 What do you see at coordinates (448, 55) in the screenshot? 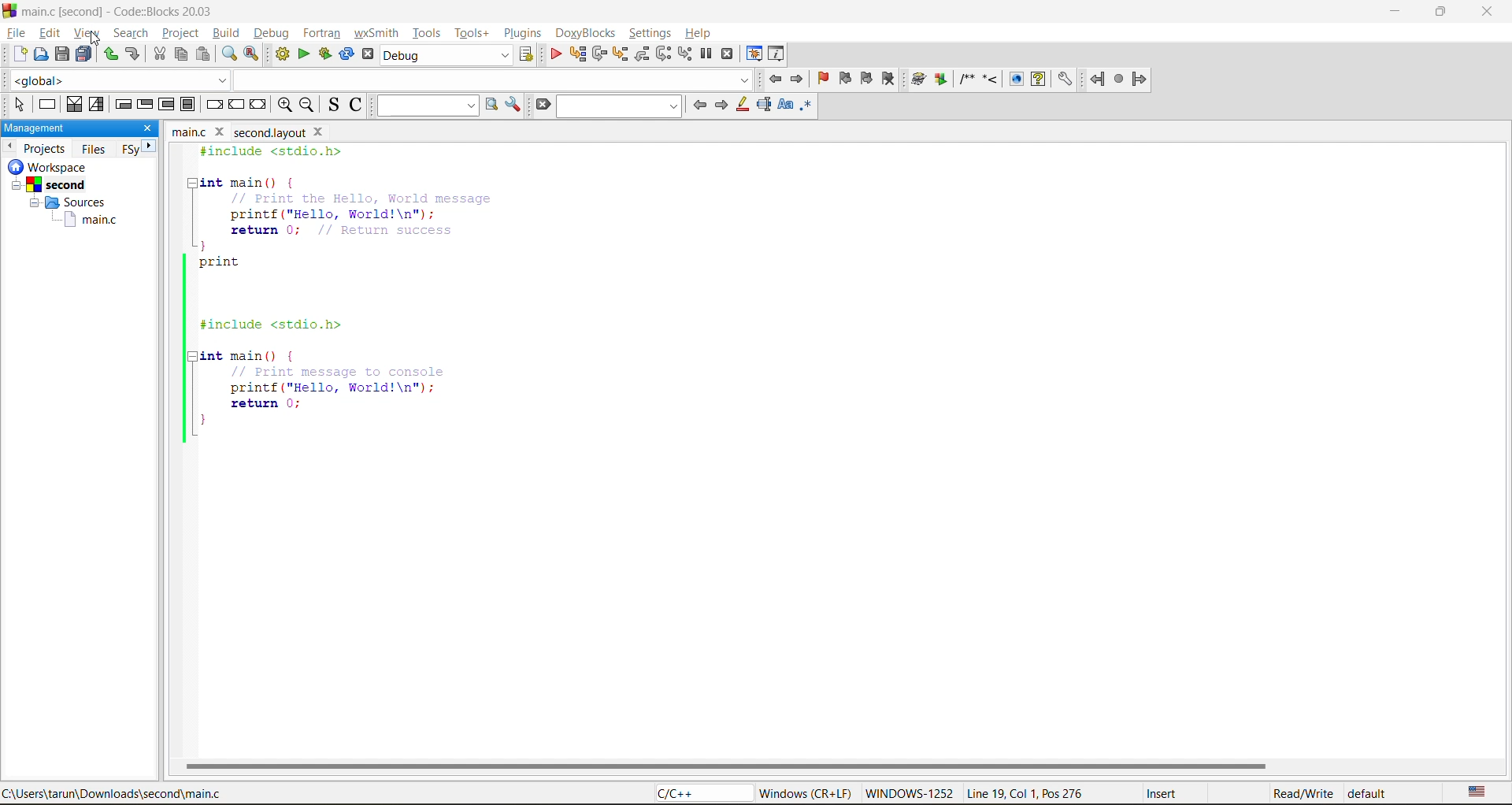
I see `build target` at bounding box center [448, 55].